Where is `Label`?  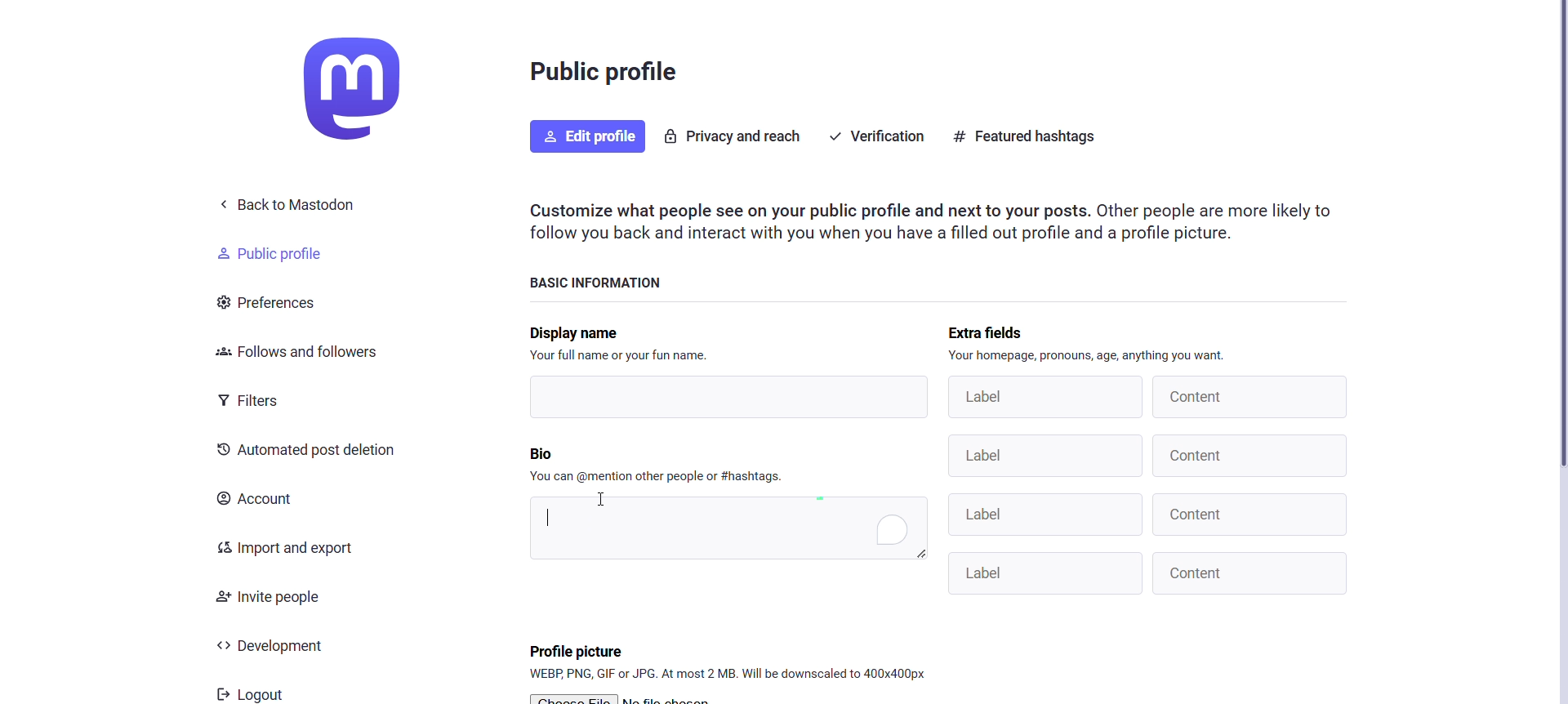
Label is located at coordinates (1043, 395).